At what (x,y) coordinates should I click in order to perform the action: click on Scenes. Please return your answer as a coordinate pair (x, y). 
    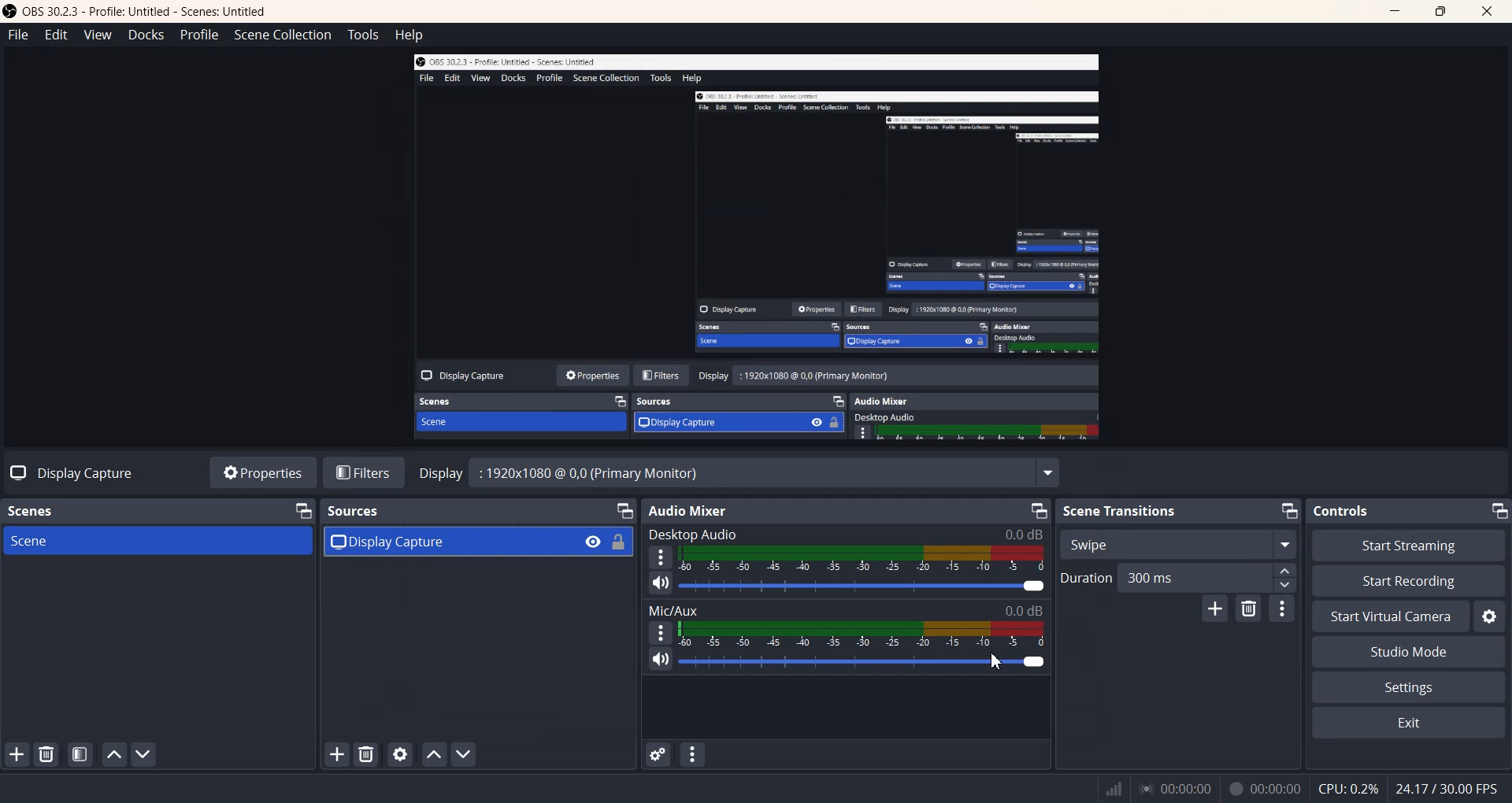
    Looking at the image, I should click on (39, 510).